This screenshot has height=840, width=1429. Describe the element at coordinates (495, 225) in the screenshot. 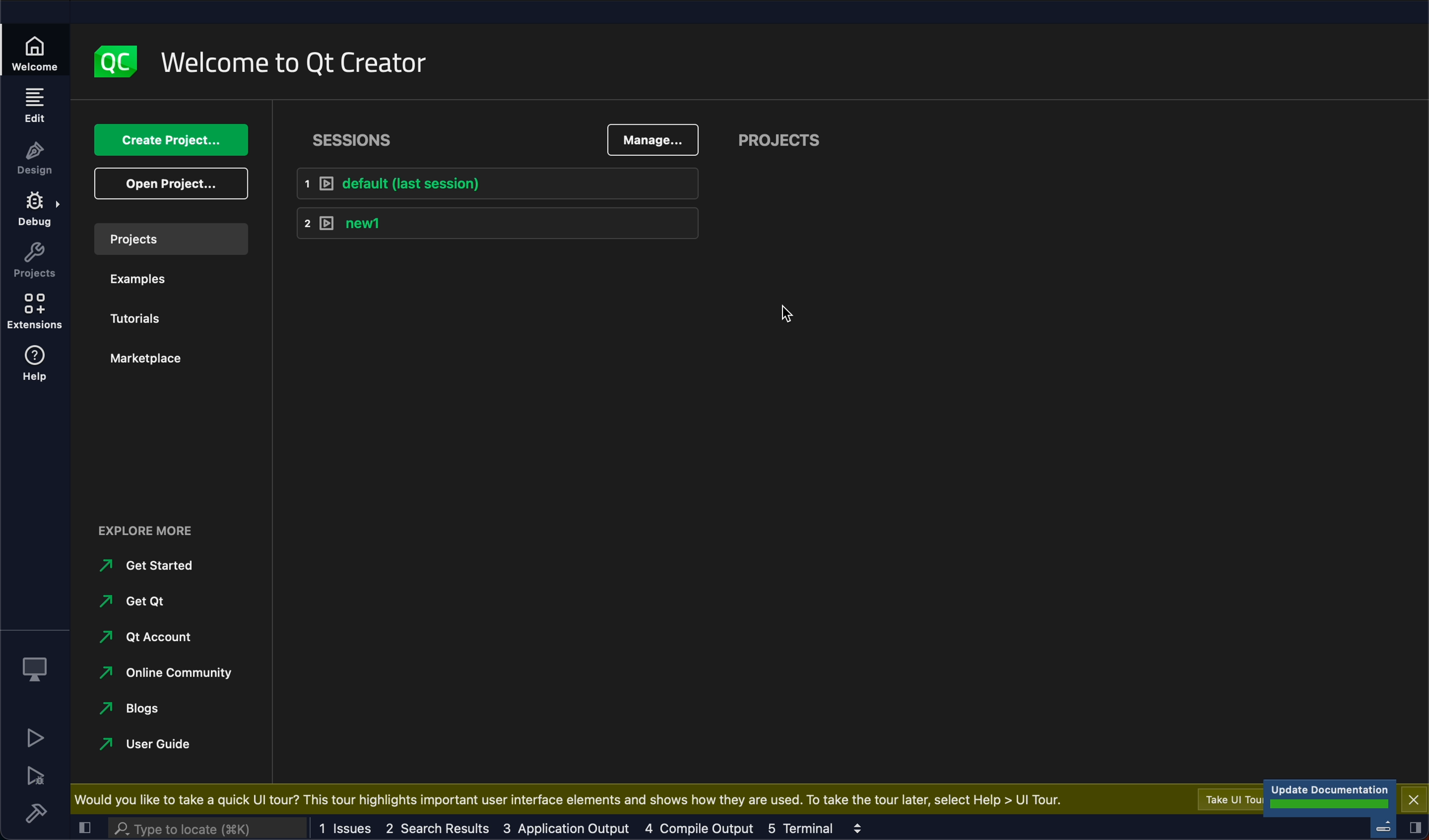

I see `new1` at that location.